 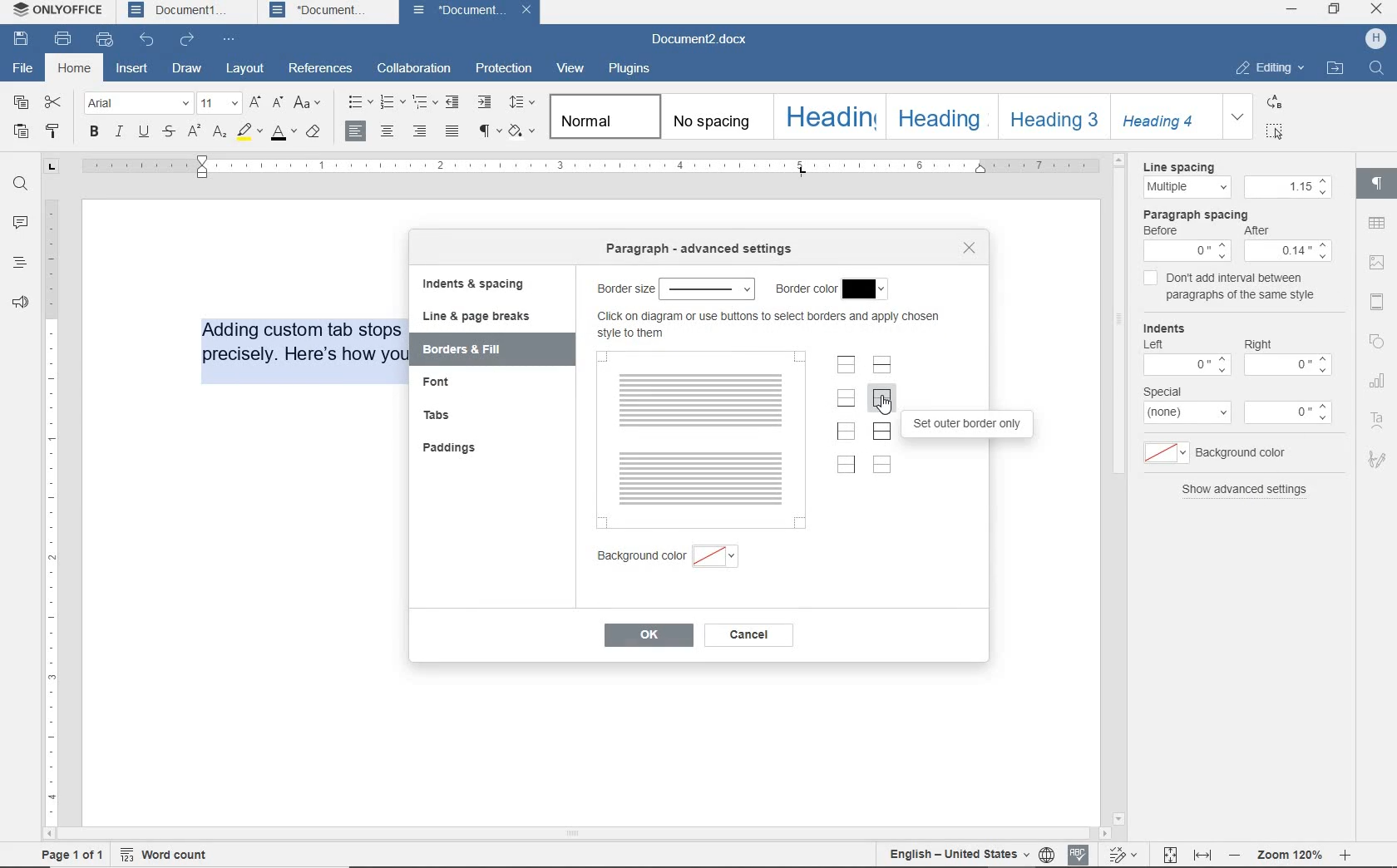 I want to click on align center, so click(x=388, y=131).